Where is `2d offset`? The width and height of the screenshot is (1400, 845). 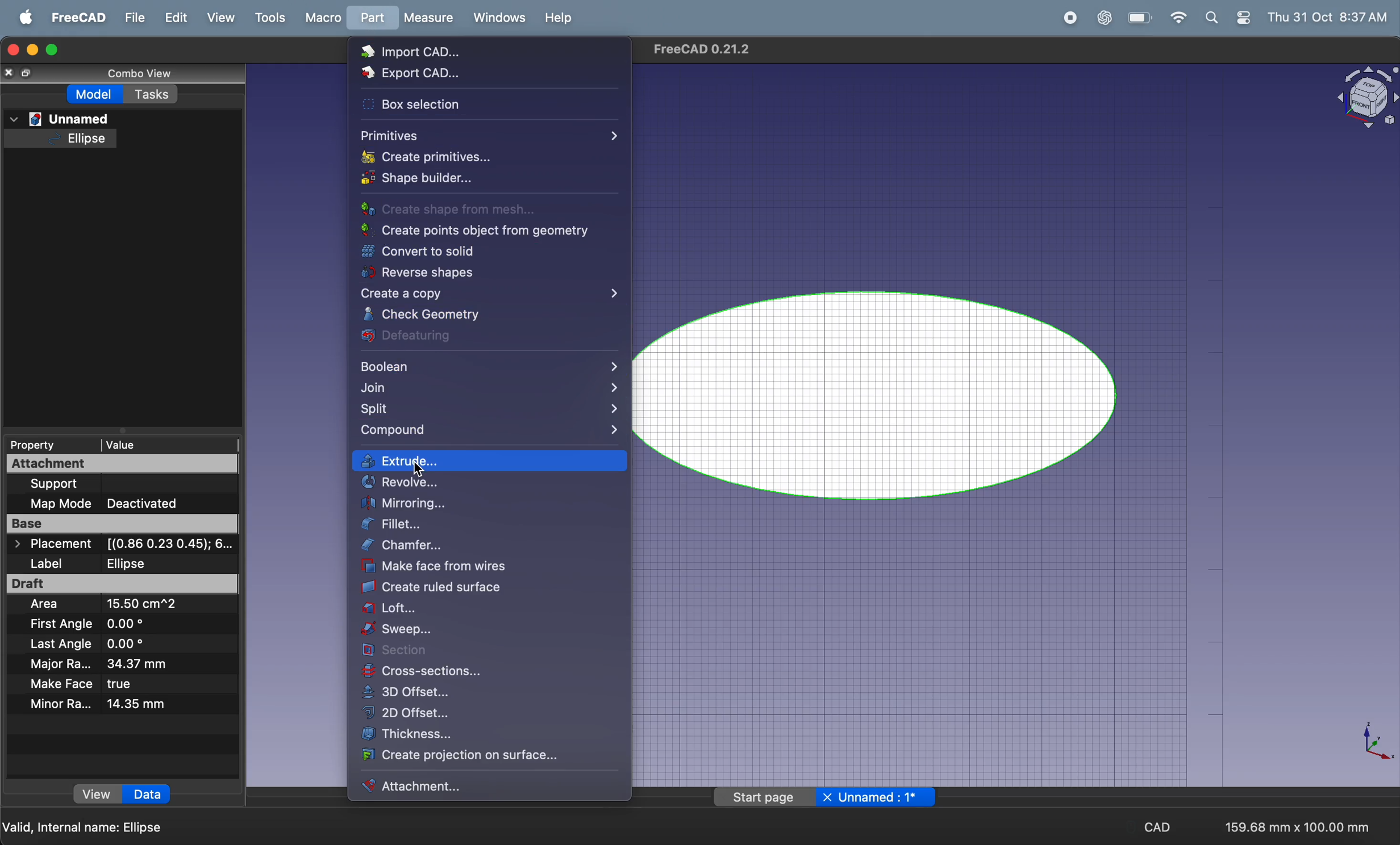
2d offset is located at coordinates (414, 713).